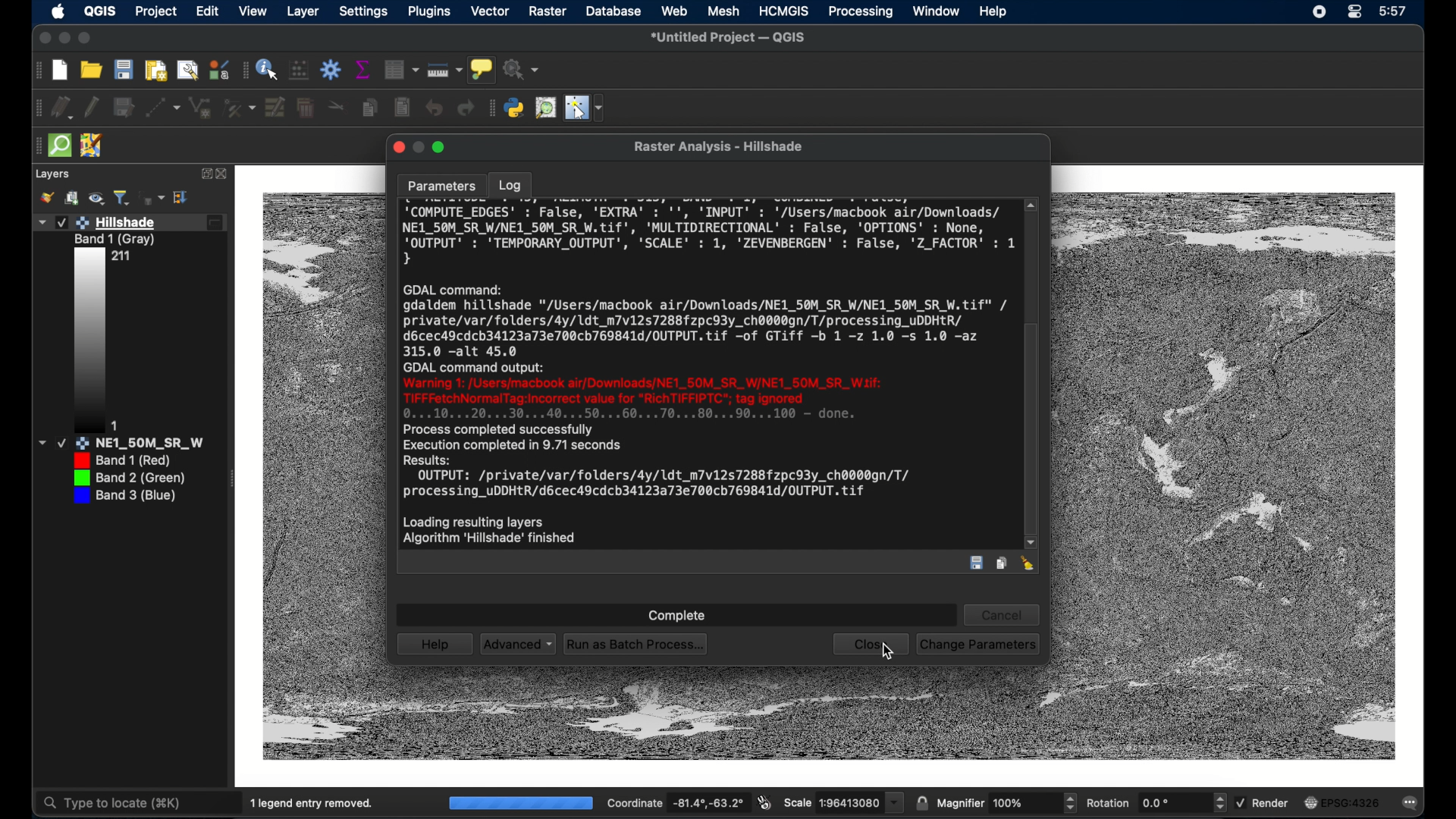 This screenshot has height=819, width=1456. I want to click on layer 3, so click(135, 498).